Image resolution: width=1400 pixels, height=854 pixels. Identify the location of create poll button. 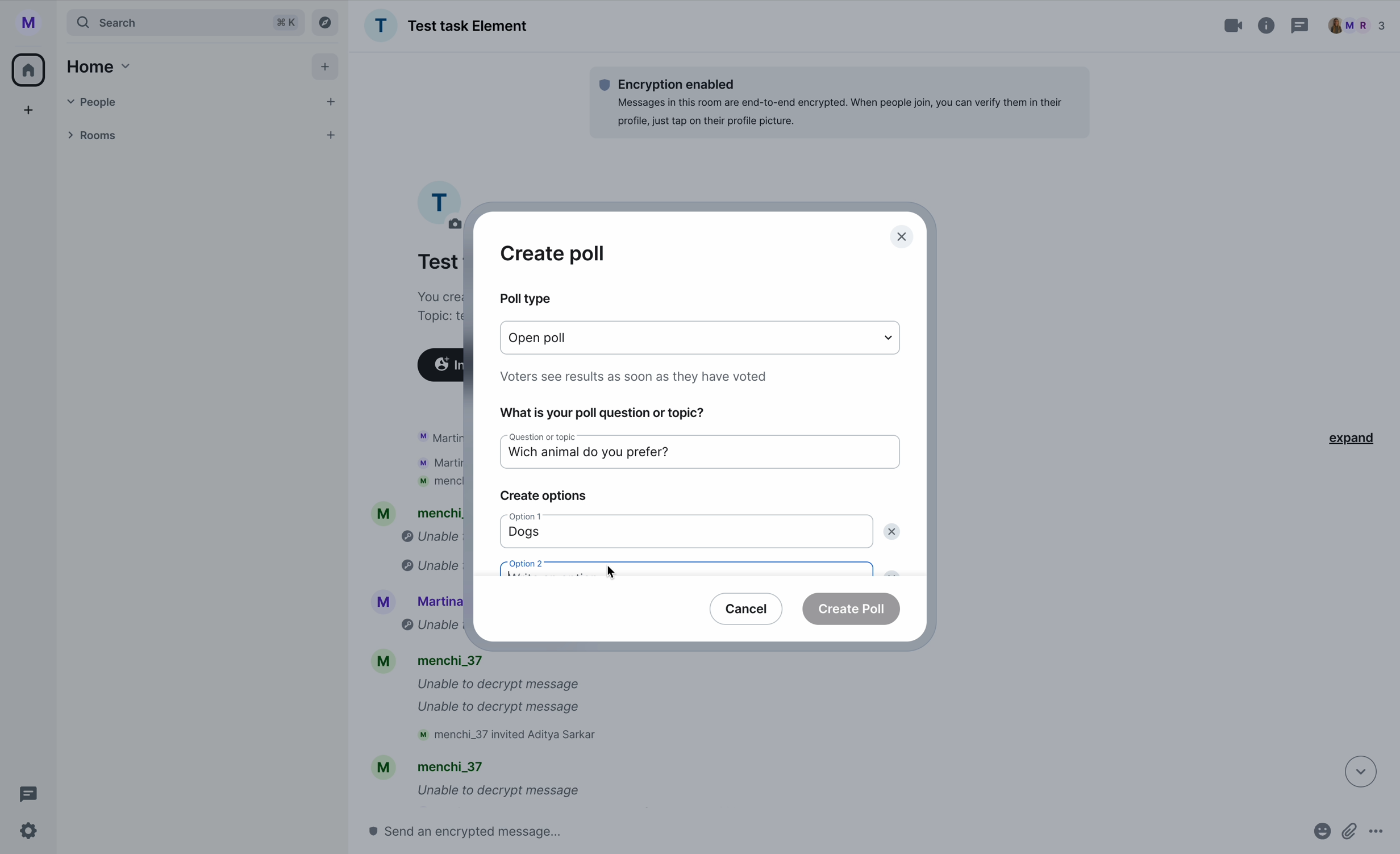
(852, 608).